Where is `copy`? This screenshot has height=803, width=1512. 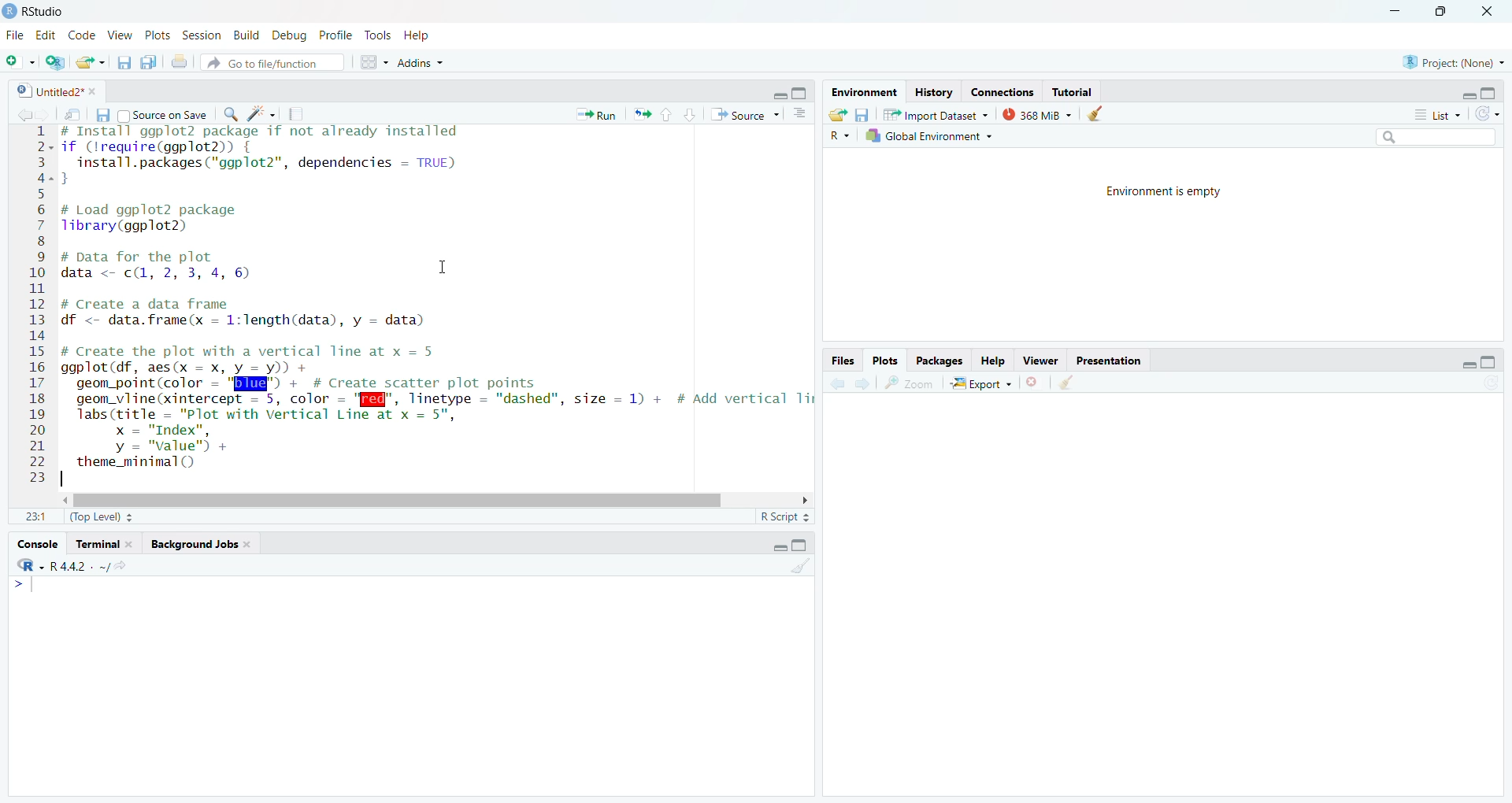
copy is located at coordinates (148, 64).